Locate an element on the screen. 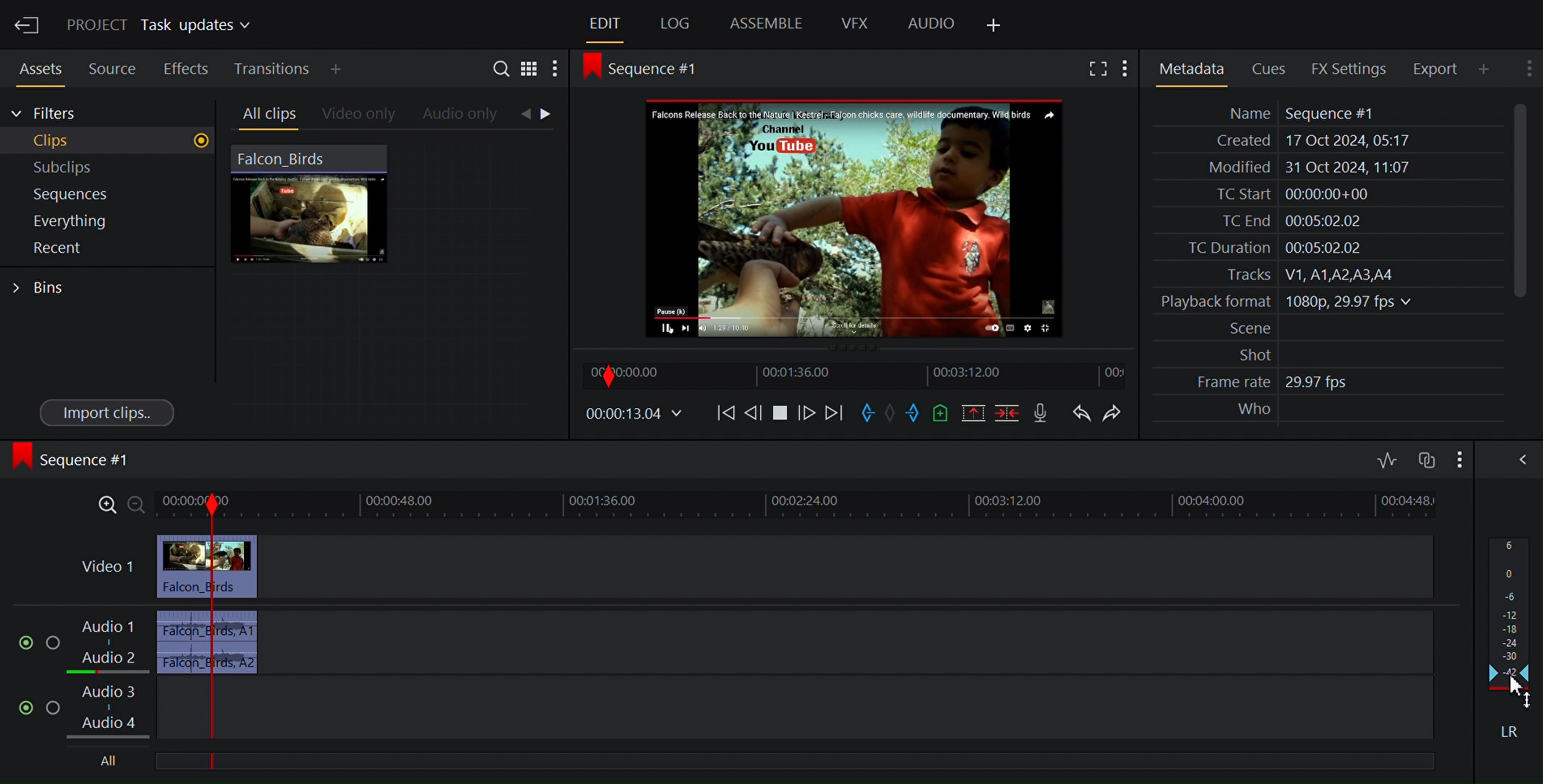  Timeline is located at coordinates (855, 374).